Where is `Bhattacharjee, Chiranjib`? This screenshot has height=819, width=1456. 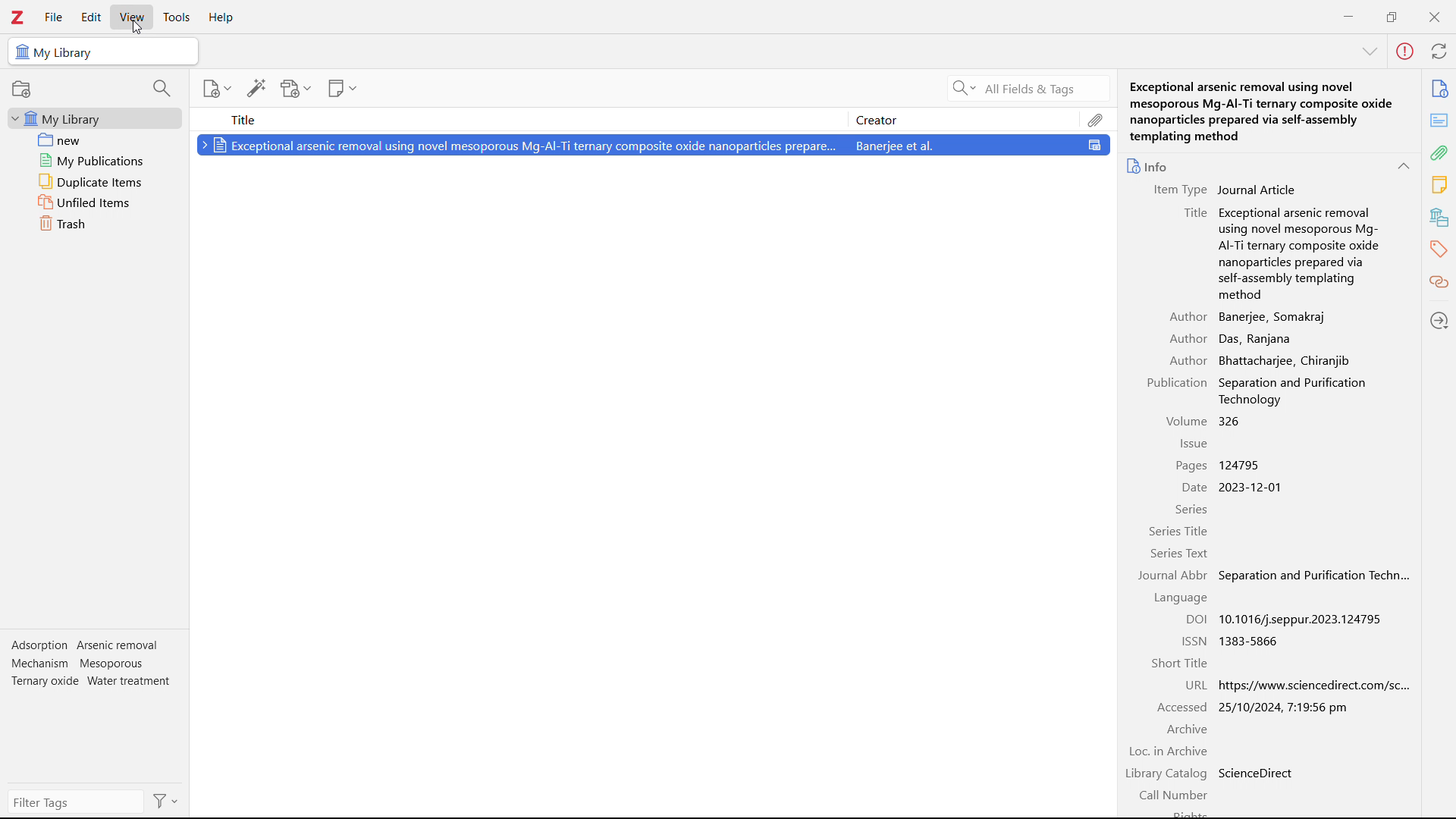 Bhattacharjee, Chiranjib is located at coordinates (1282, 359).